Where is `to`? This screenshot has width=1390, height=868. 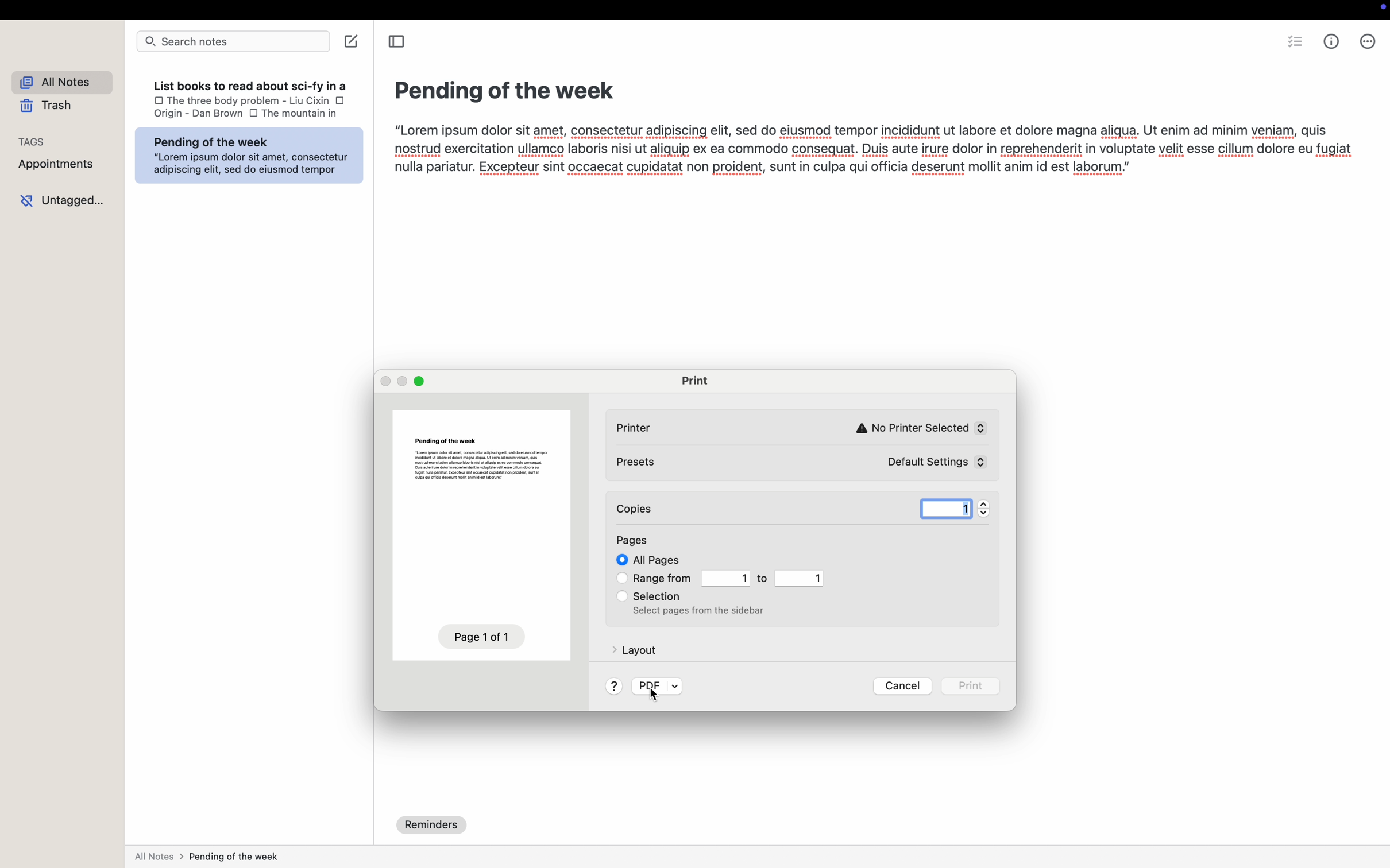
to is located at coordinates (764, 579).